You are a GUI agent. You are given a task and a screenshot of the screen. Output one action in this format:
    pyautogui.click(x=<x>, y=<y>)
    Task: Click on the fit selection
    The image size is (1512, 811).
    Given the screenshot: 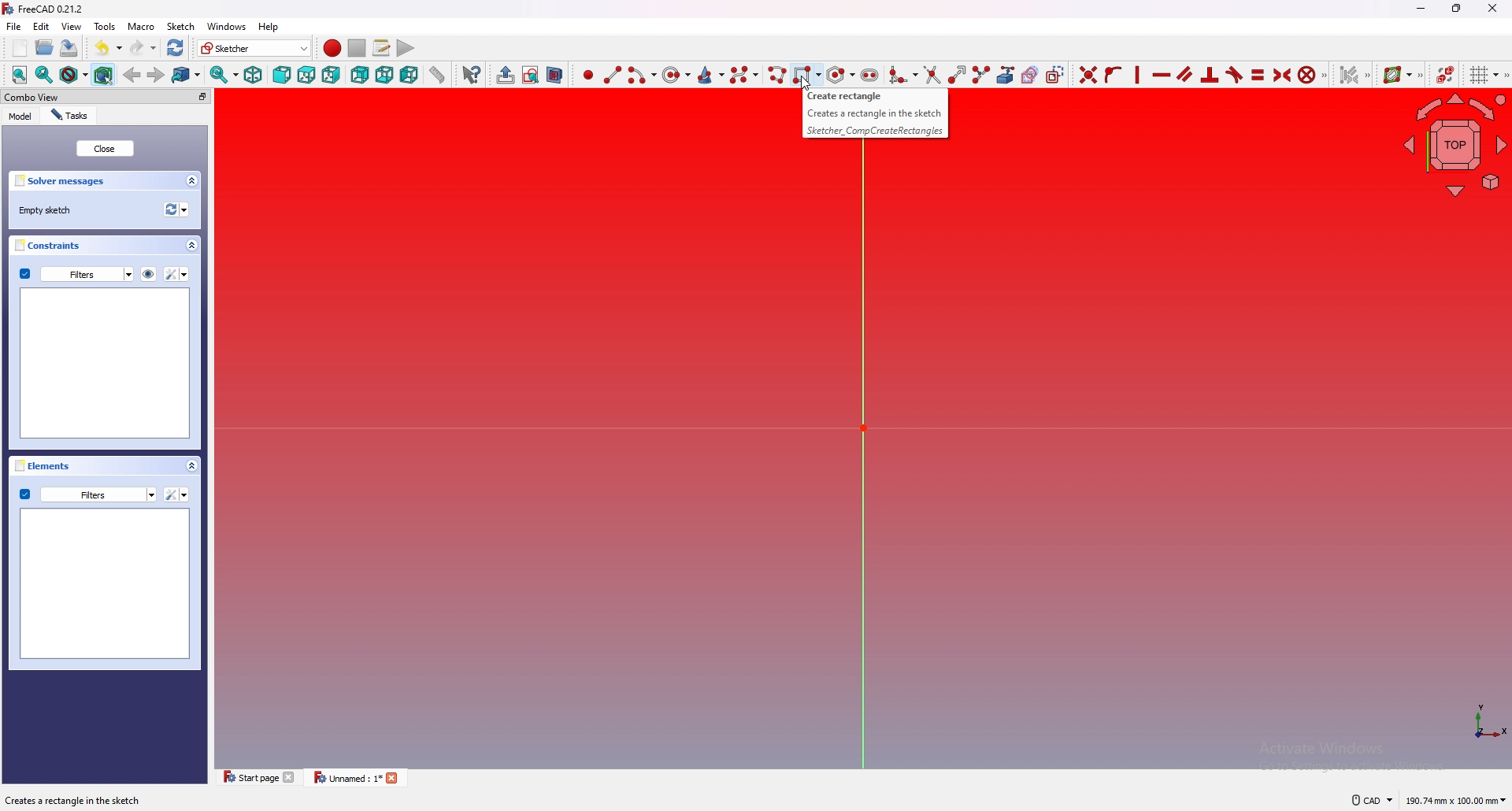 What is the action you would take?
    pyautogui.click(x=44, y=75)
    